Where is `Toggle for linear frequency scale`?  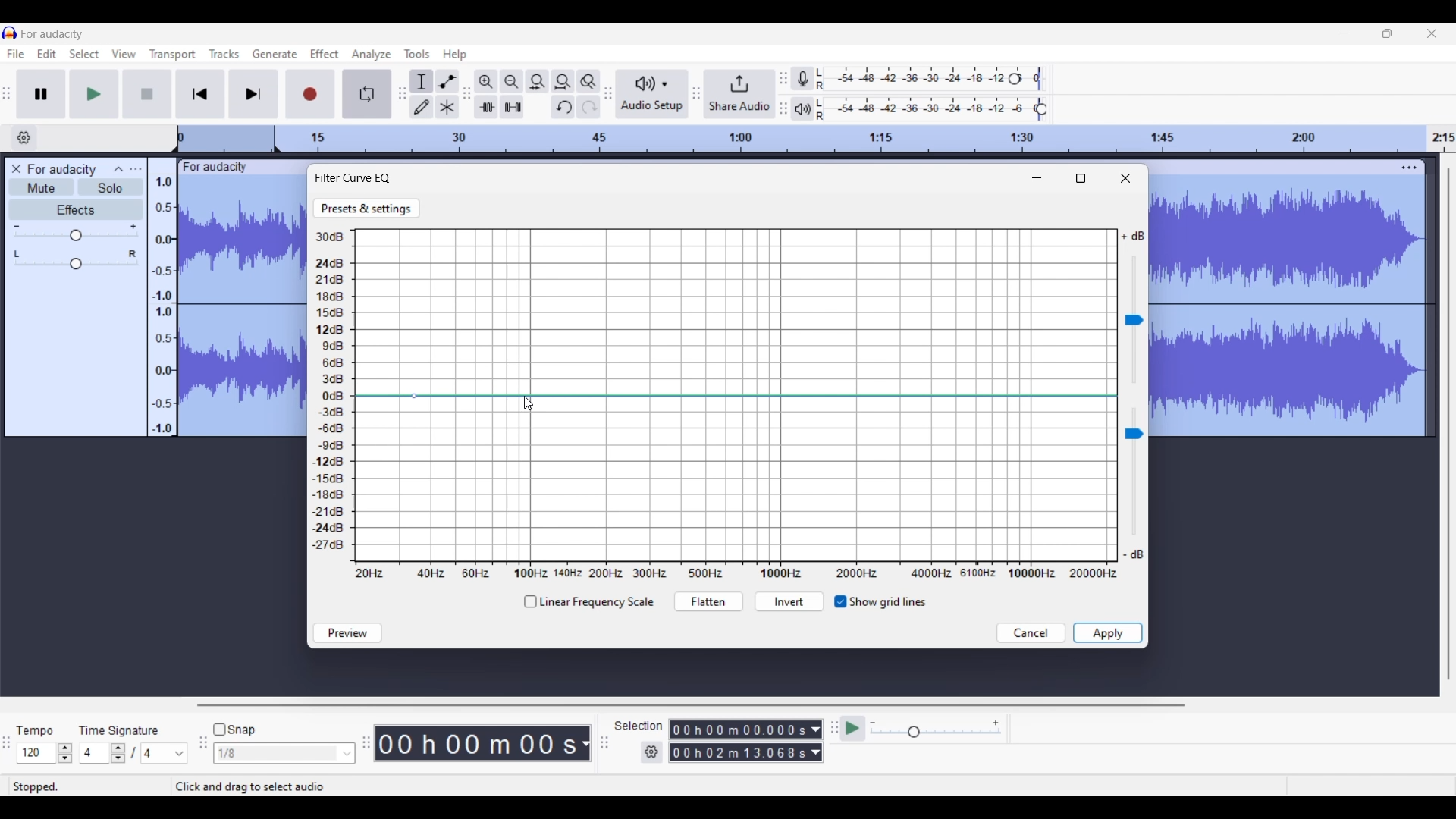
Toggle for linear frequency scale is located at coordinates (588, 602).